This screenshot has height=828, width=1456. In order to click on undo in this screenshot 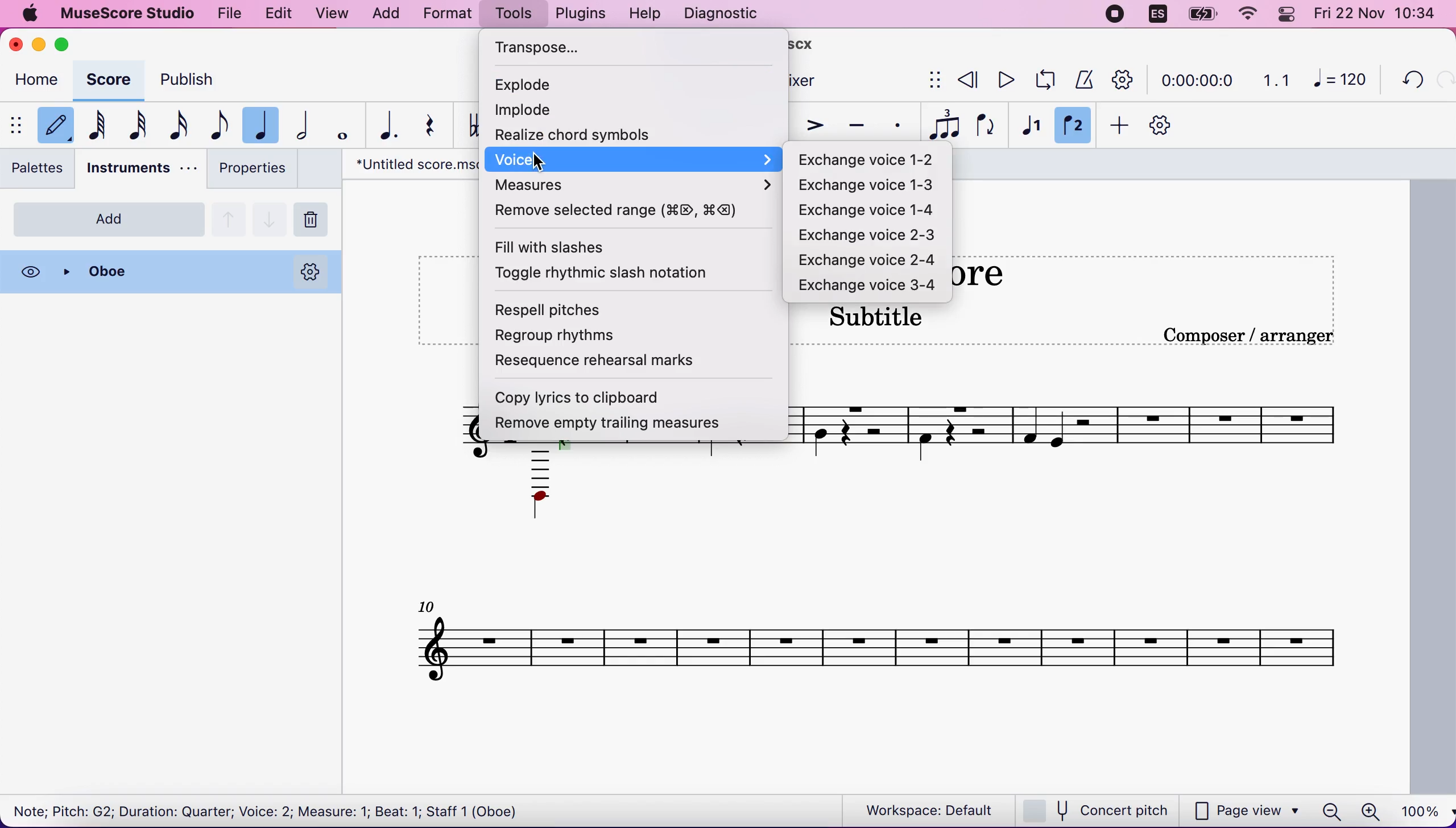, I will do `click(1408, 82)`.